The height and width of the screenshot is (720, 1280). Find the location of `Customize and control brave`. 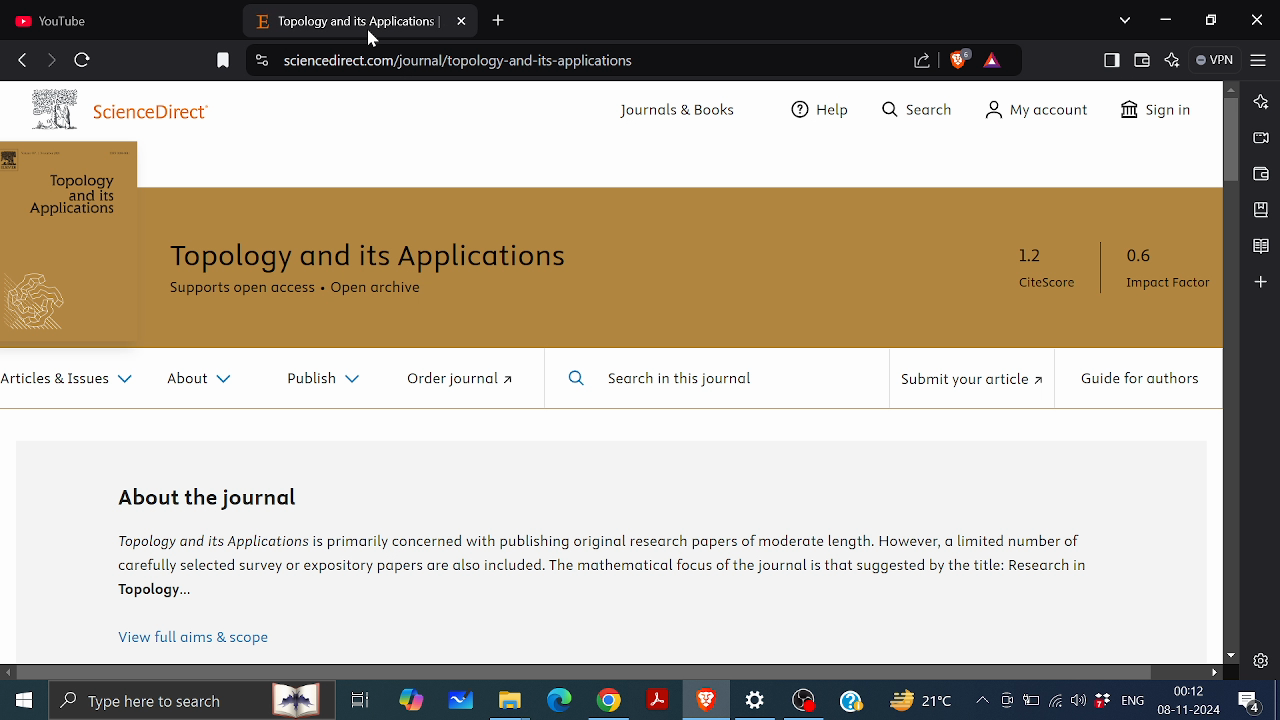

Customize and control brave is located at coordinates (1259, 59).